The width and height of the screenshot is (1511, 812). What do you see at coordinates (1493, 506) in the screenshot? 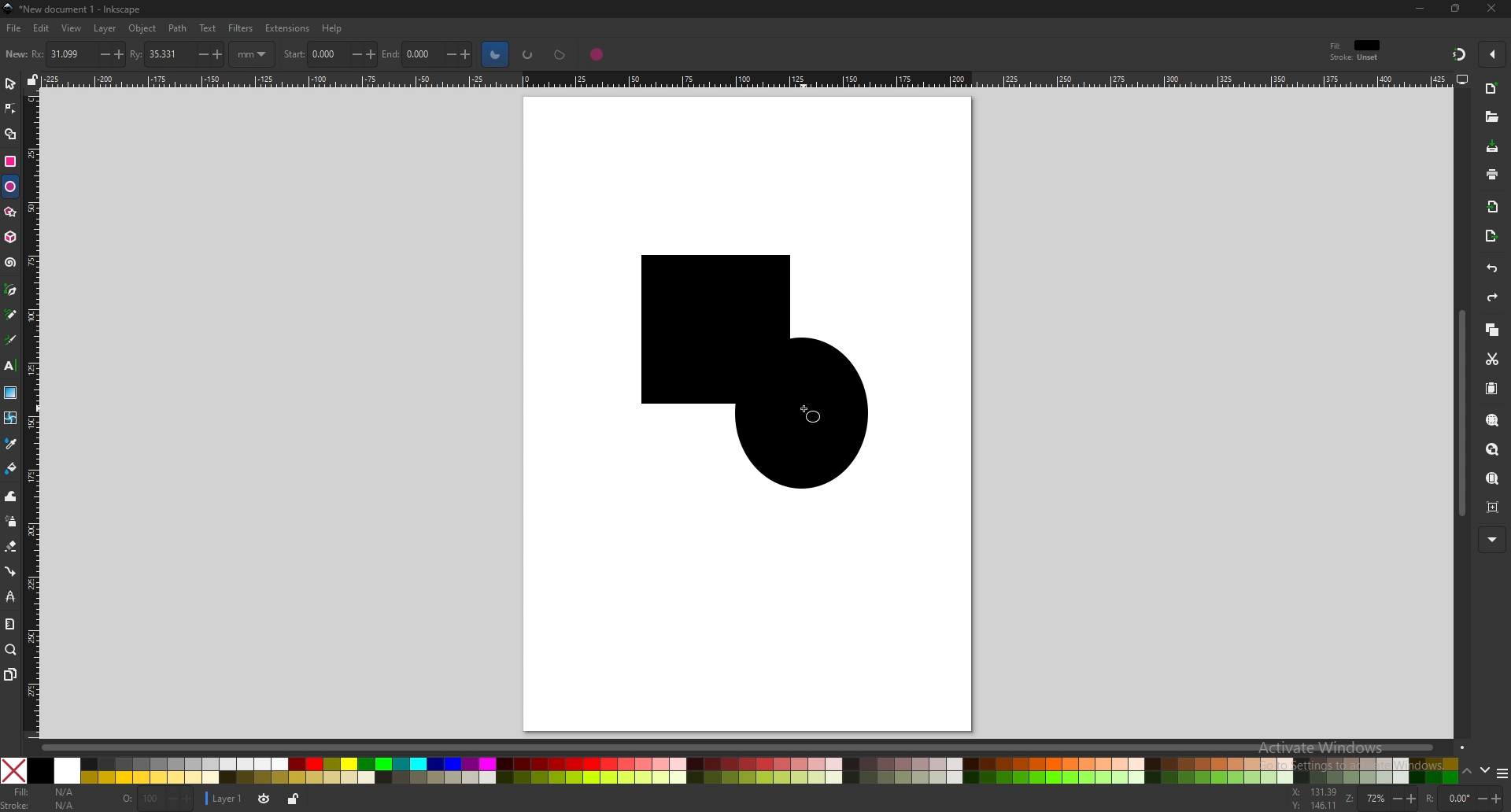
I see `zoom centre` at bounding box center [1493, 506].